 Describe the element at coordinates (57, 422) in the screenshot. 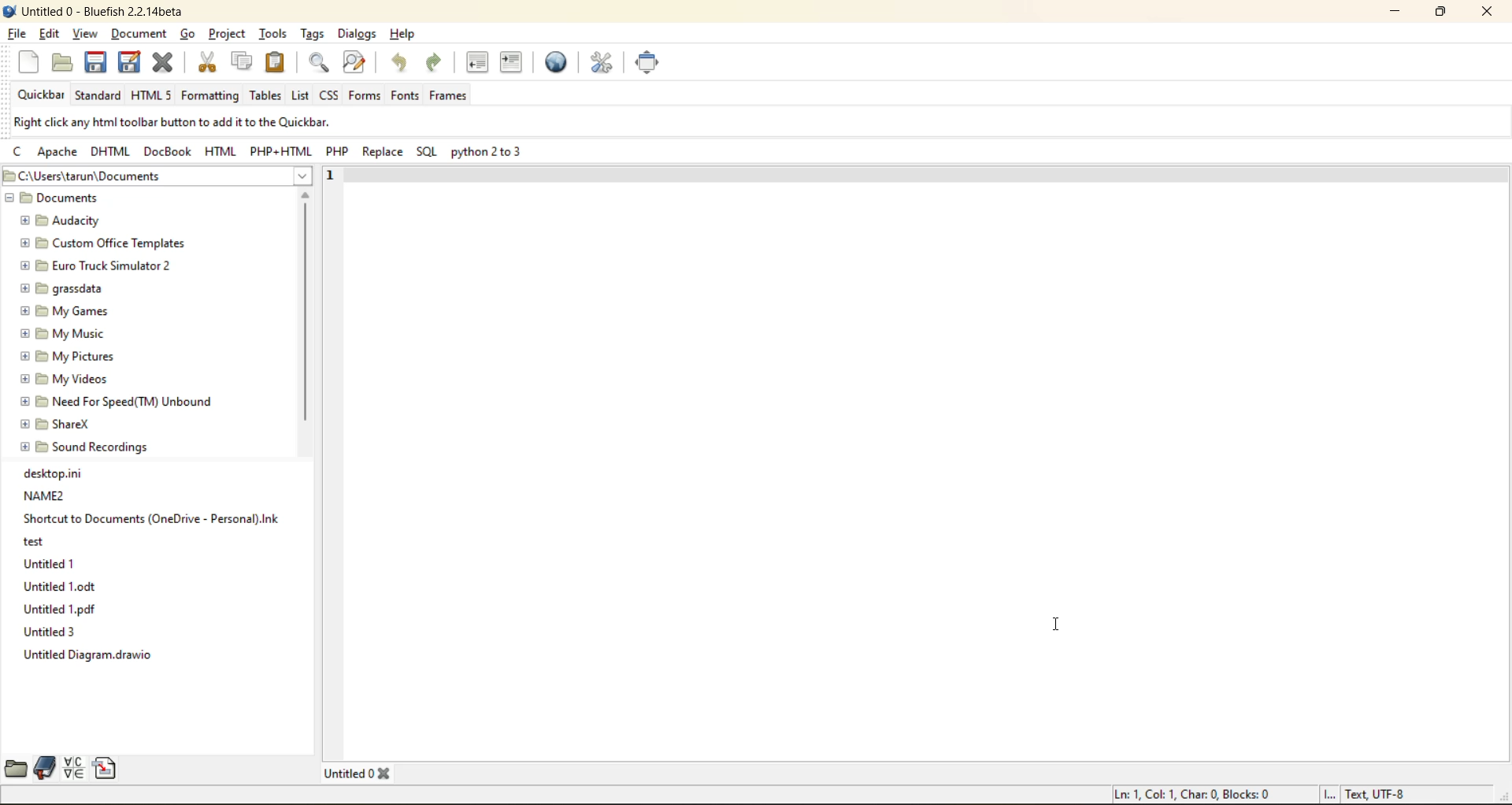

I see `® EB ShareX` at that location.